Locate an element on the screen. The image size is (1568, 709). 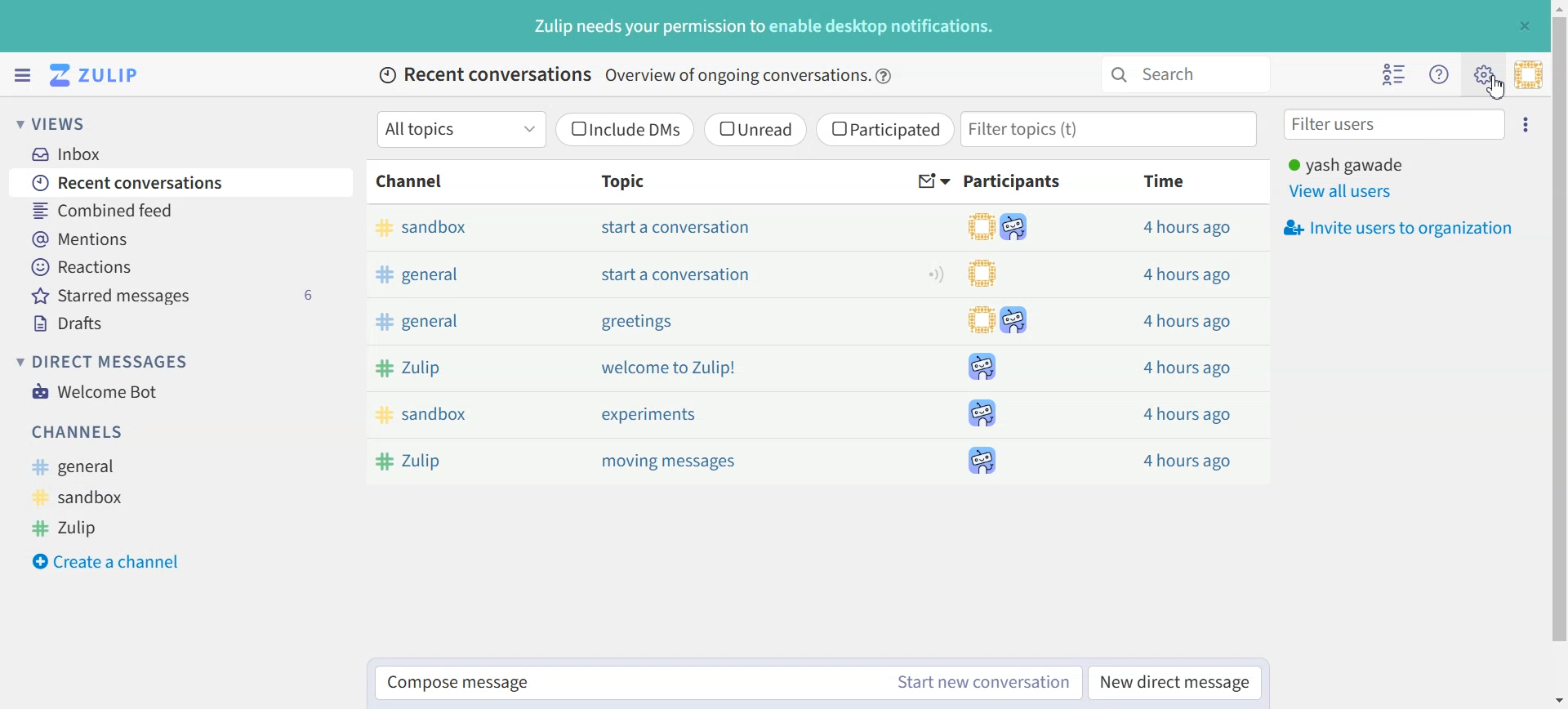
Greetings is located at coordinates (635, 323).